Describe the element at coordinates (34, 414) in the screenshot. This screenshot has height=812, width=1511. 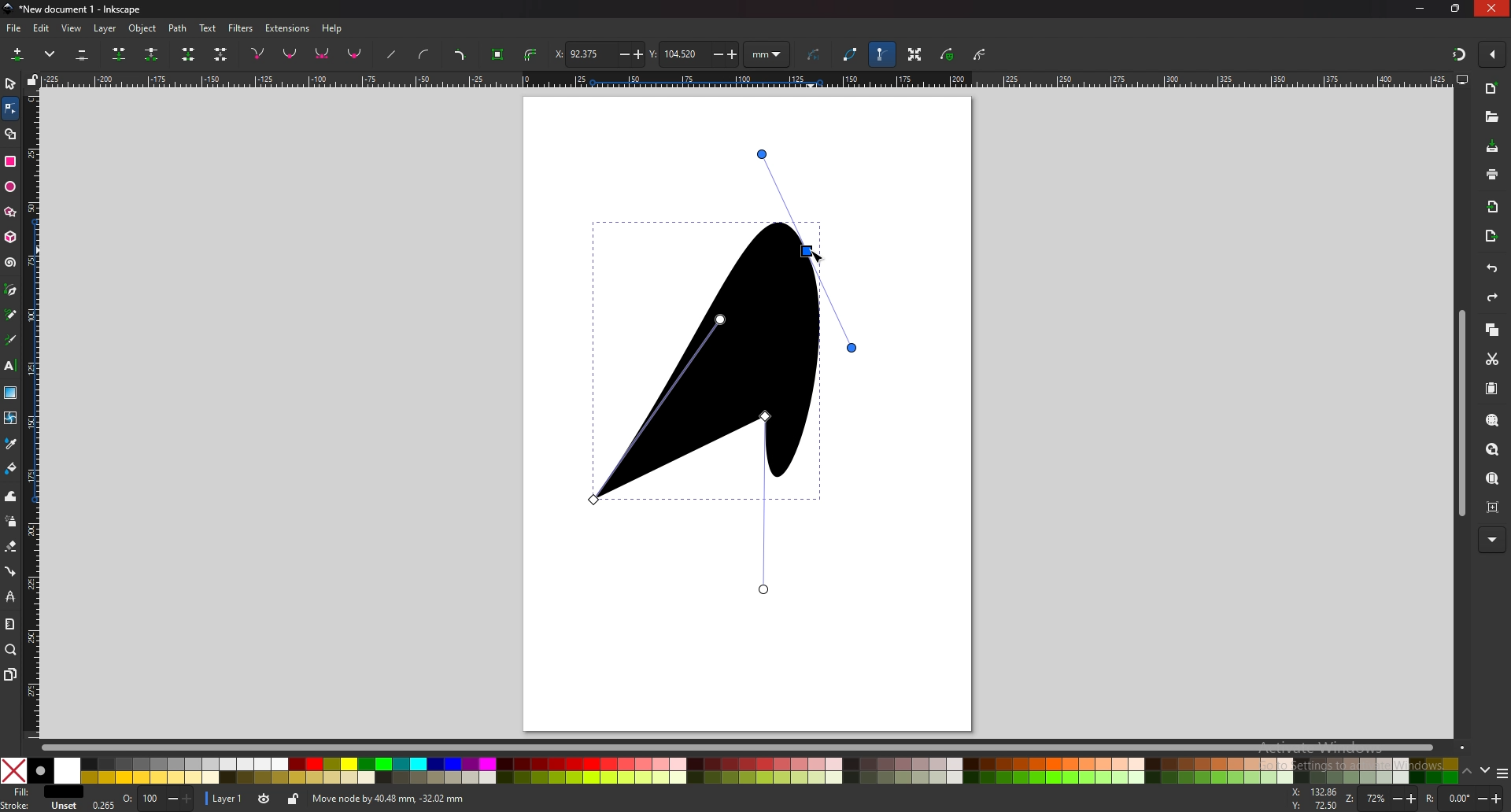
I see `vertical scale` at that location.